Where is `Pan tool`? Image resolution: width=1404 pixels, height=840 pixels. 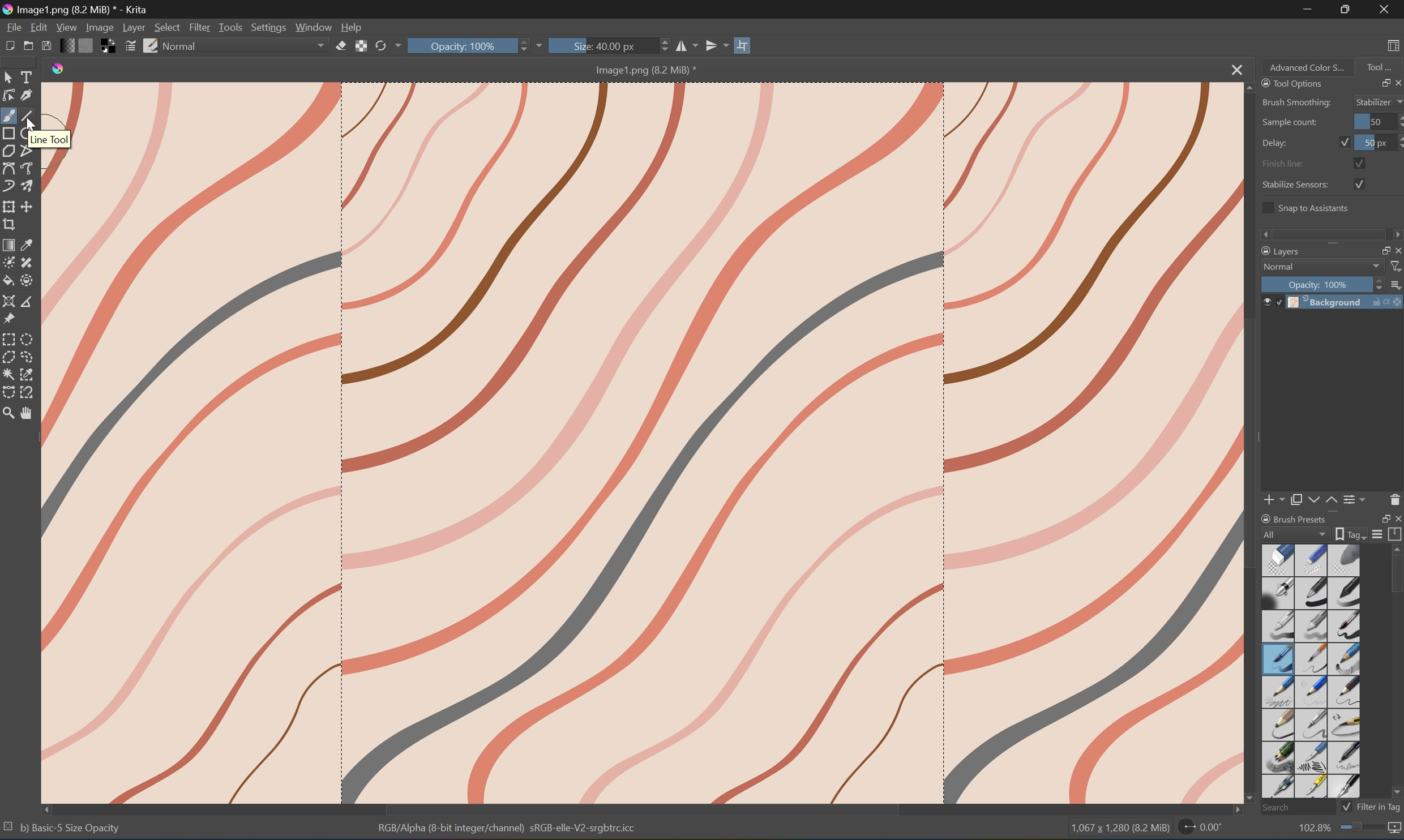
Pan tool is located at coordinates (28, 415).